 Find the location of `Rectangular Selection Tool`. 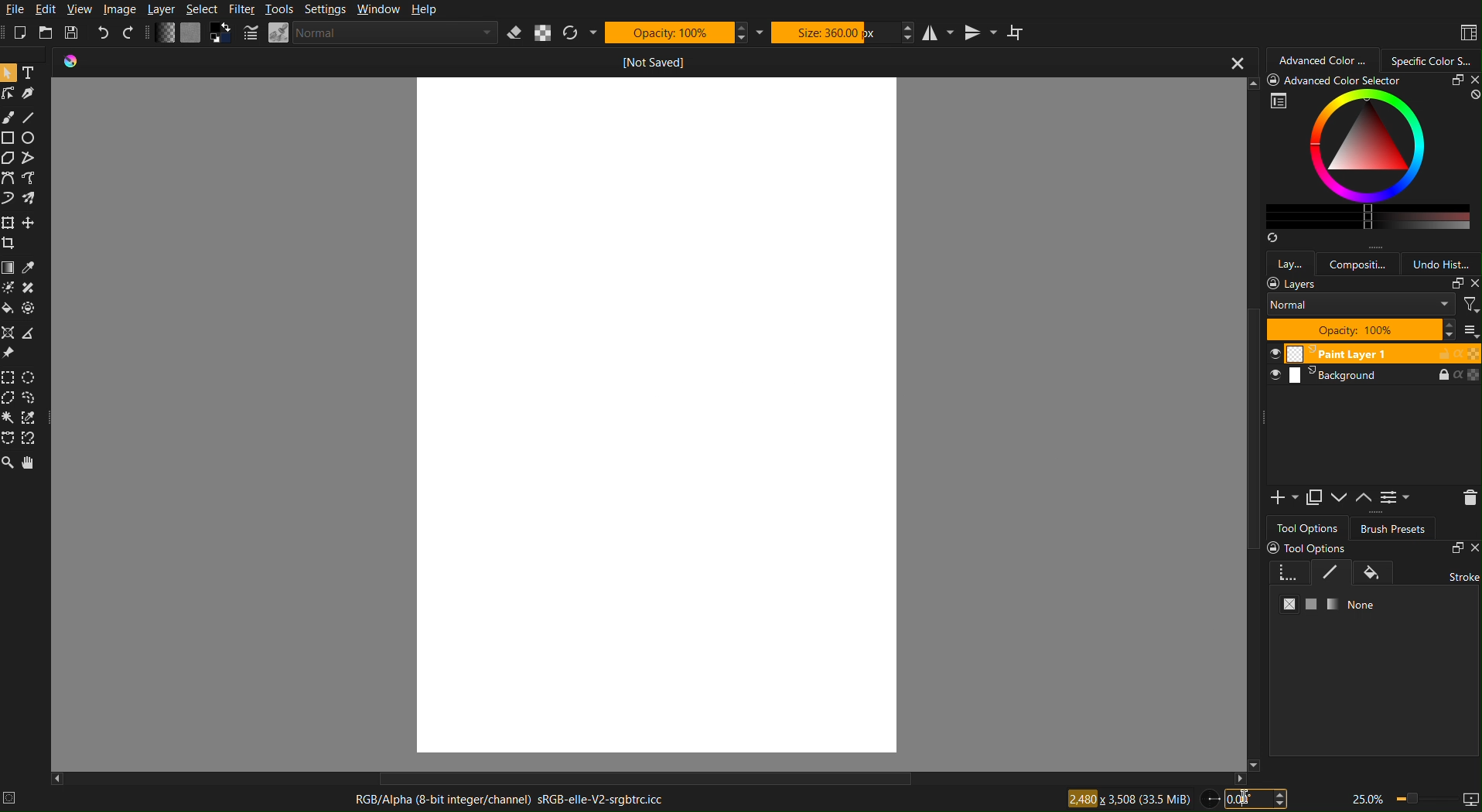

Rectangular Selection Tool is located at coordinates (9, 377).